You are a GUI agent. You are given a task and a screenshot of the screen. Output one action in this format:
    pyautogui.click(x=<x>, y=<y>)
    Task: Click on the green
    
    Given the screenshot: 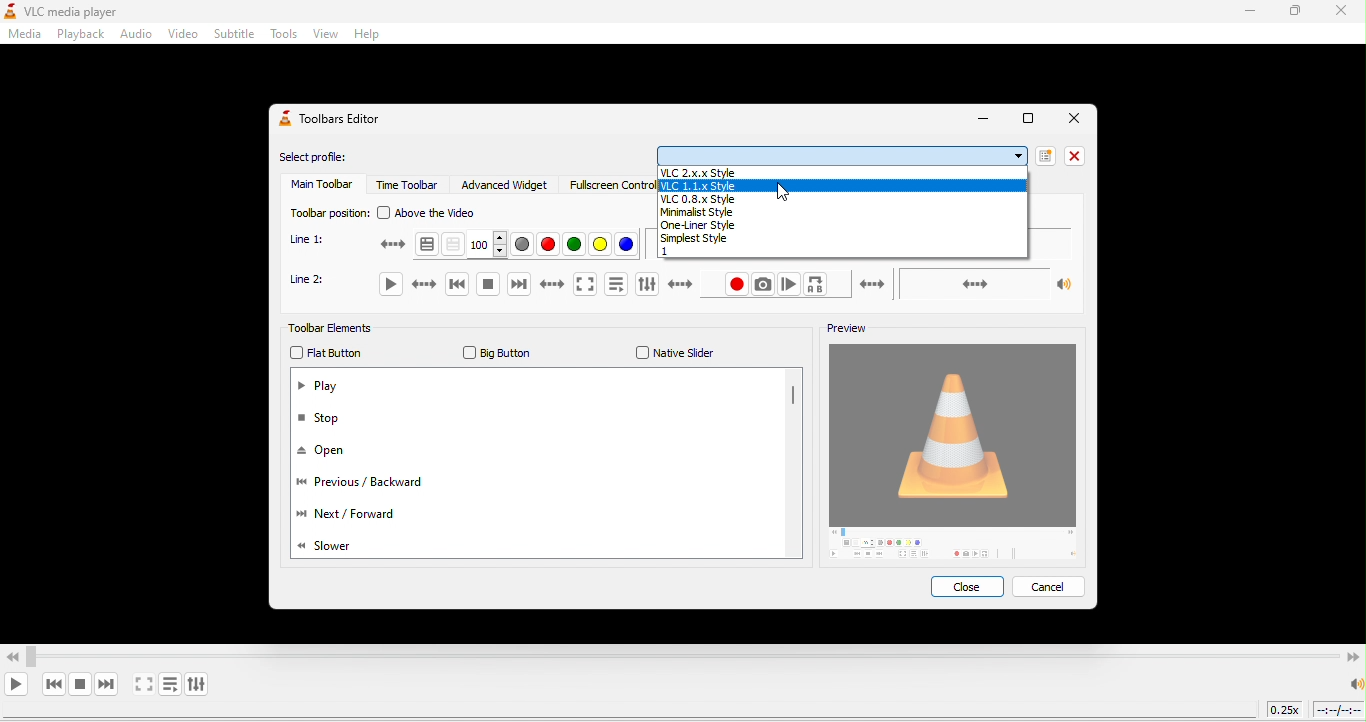 What is the action you would take?
    pyautogui.click(x=577, y=247)
    